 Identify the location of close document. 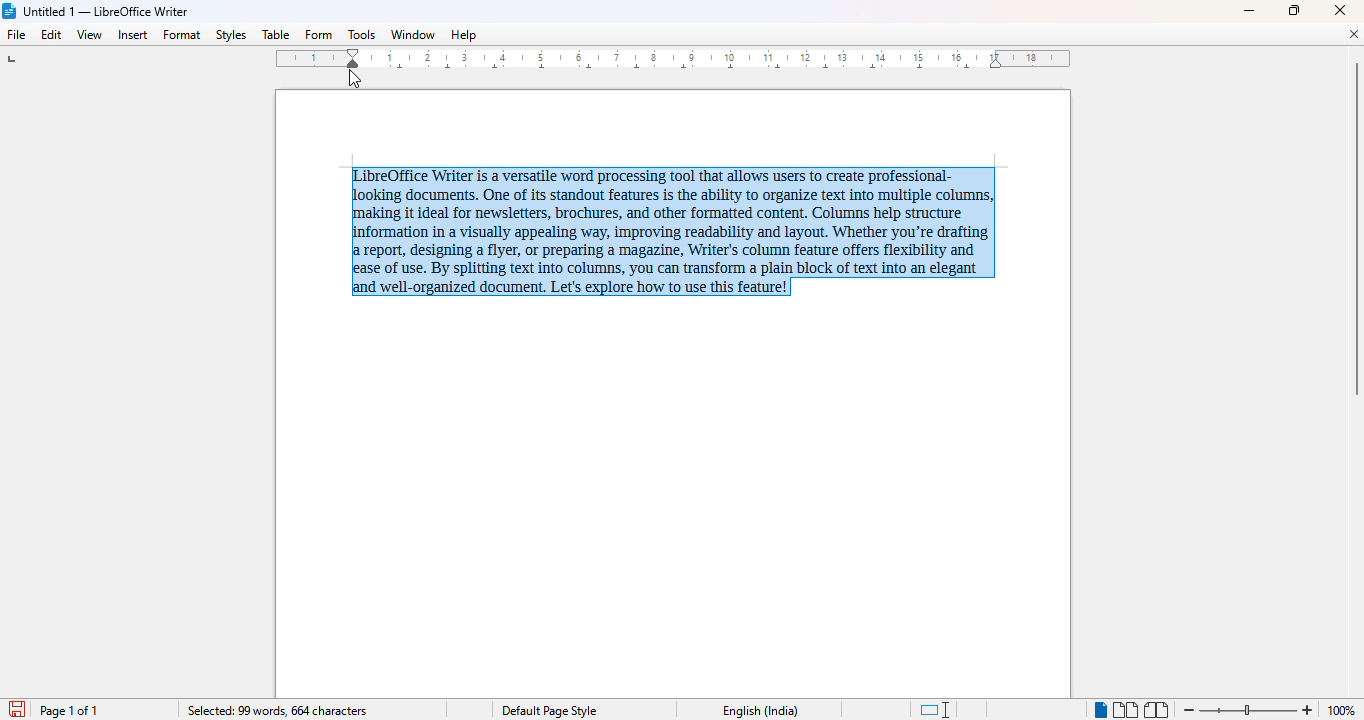
(1353, 34).